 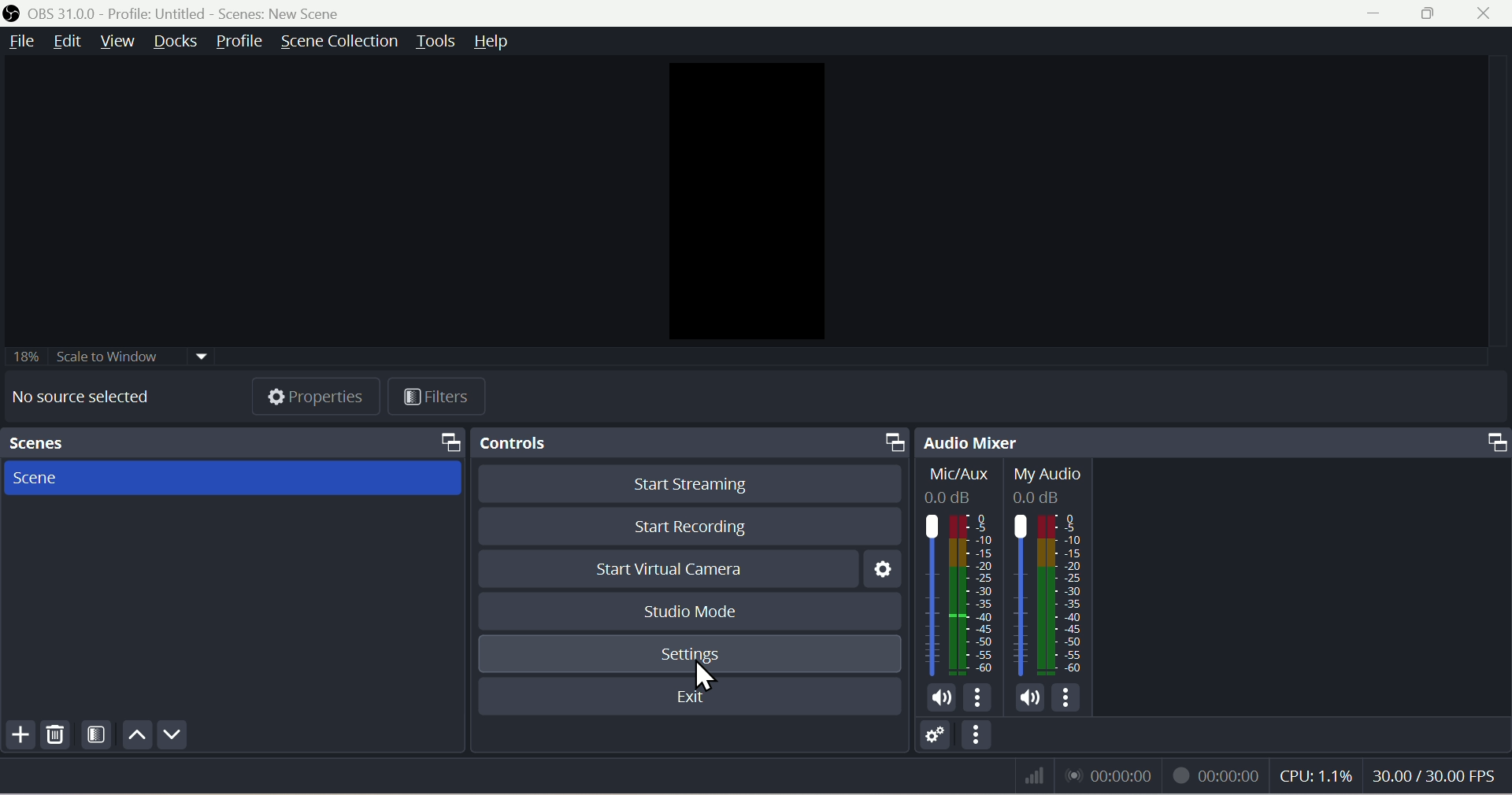 I want to click on CPU:1.1%, so click(x=1318, y=776).